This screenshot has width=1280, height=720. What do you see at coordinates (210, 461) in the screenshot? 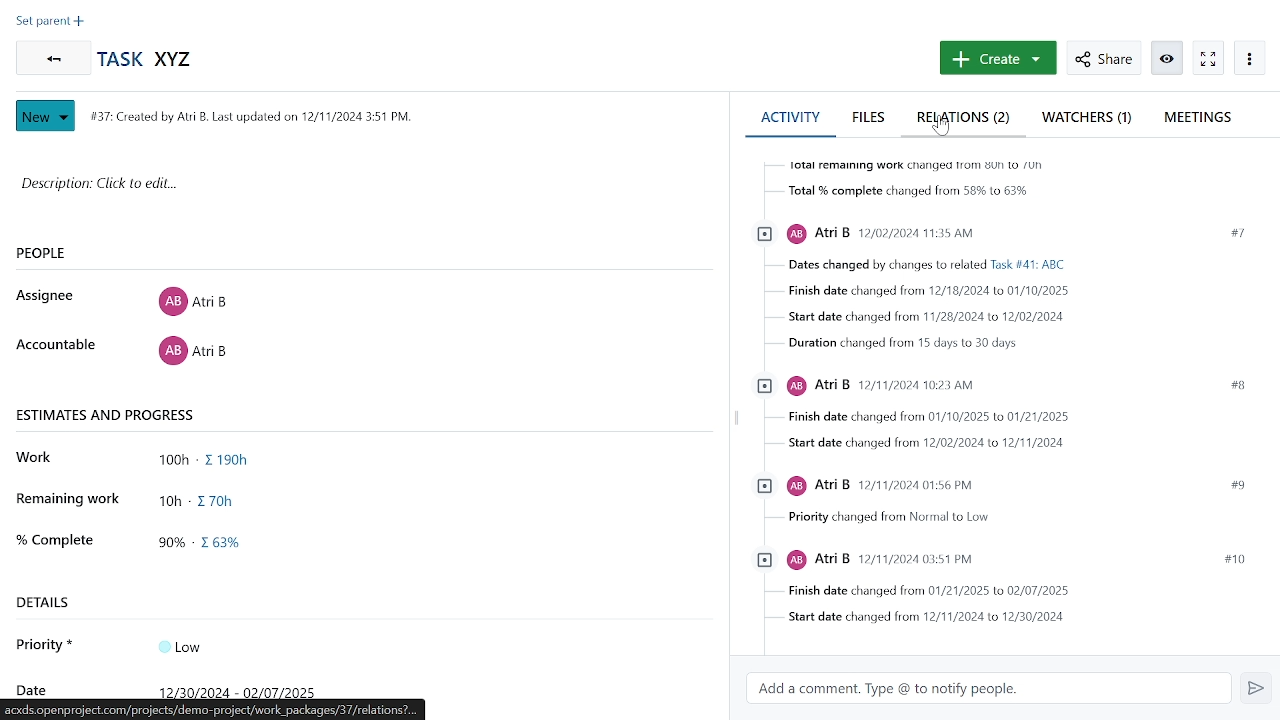
I see `total work` at bounding box center [210, 461].